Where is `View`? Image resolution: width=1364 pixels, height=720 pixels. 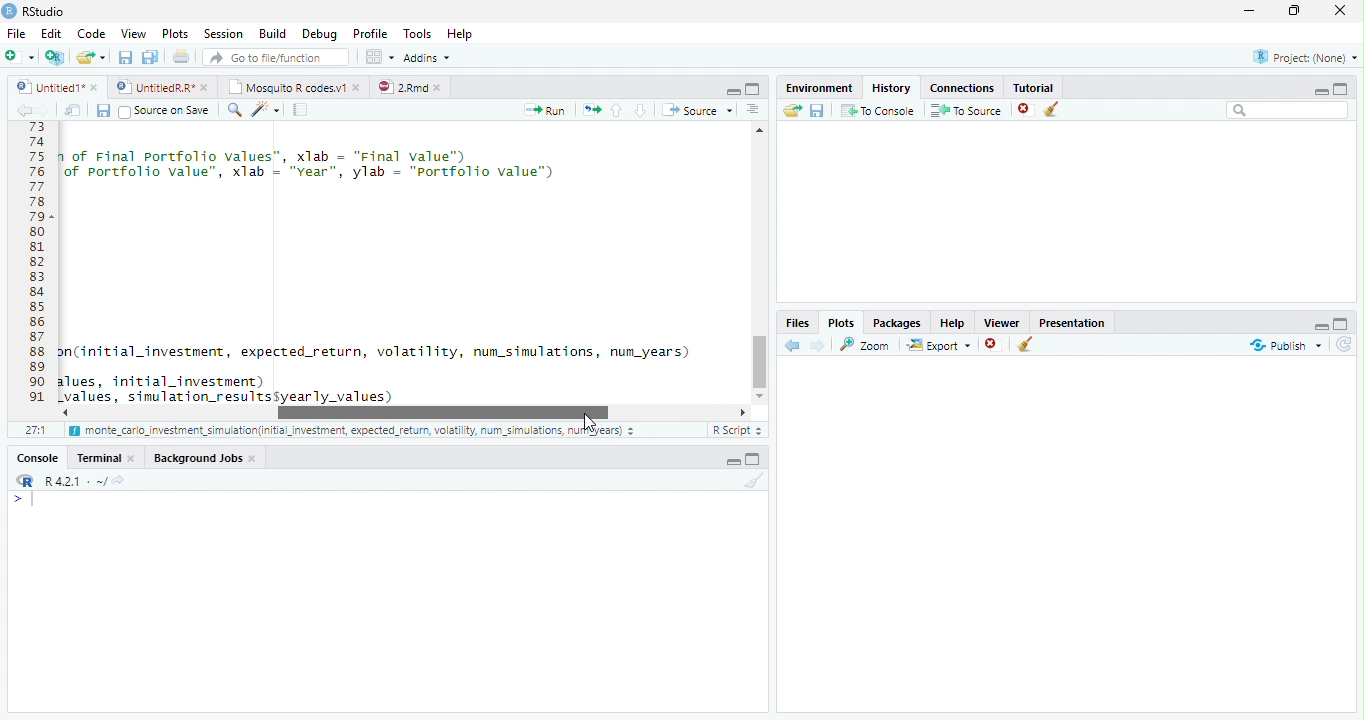
View is located at coordinates (132, 32).